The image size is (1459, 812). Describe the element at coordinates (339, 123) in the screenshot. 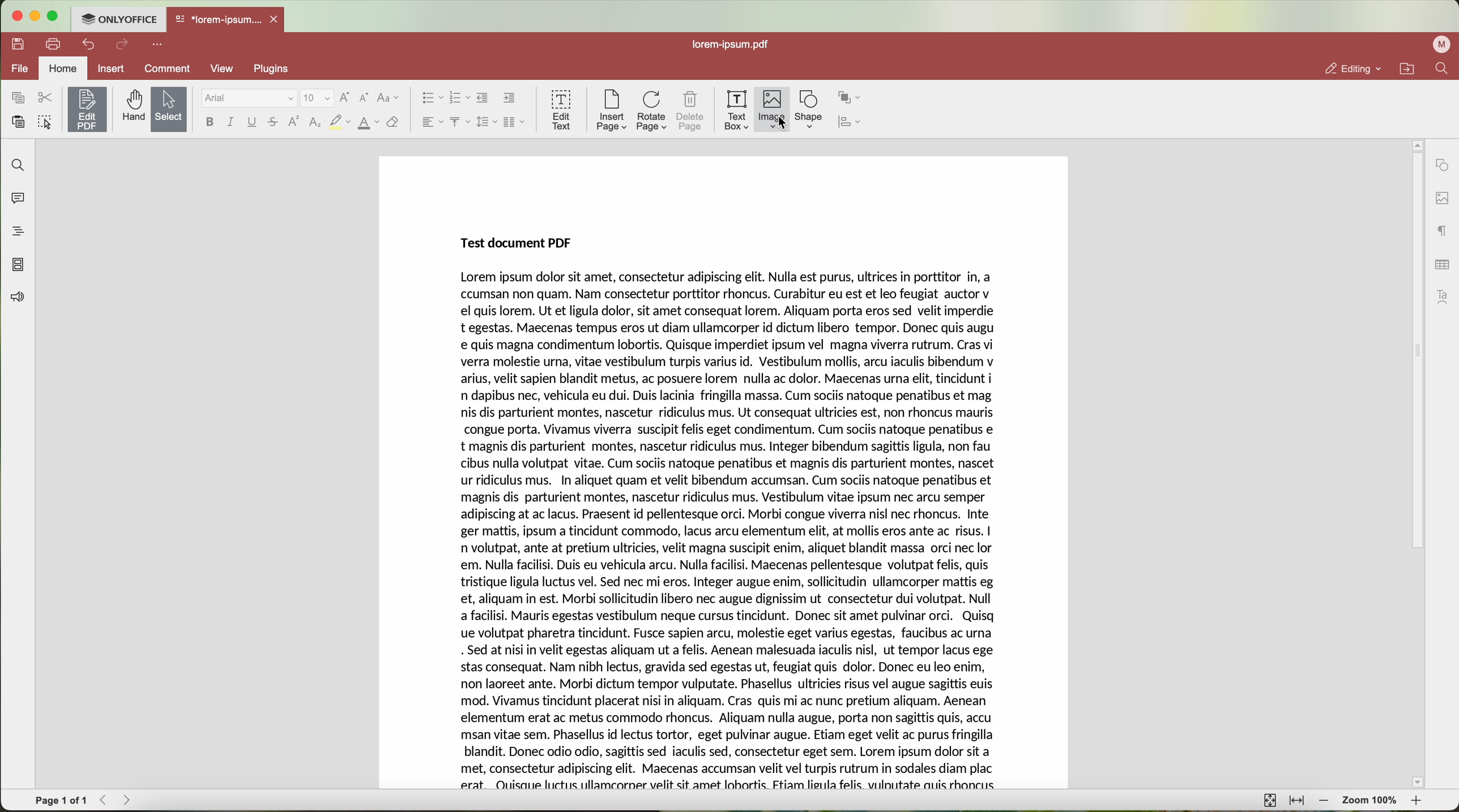

I see `highlight color` at that location.